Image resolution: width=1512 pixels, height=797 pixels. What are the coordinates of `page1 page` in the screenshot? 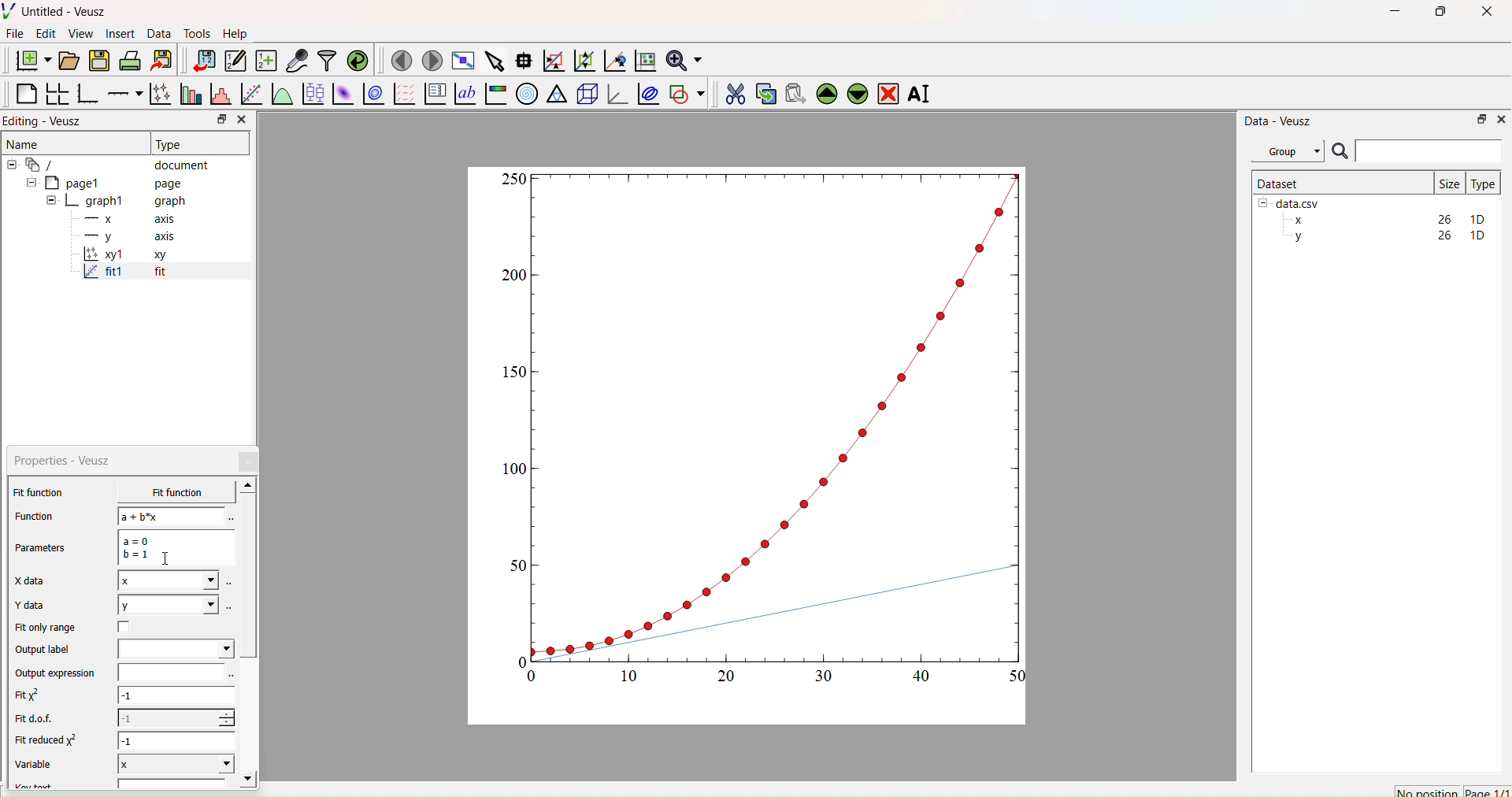 It's located at (105, 182).